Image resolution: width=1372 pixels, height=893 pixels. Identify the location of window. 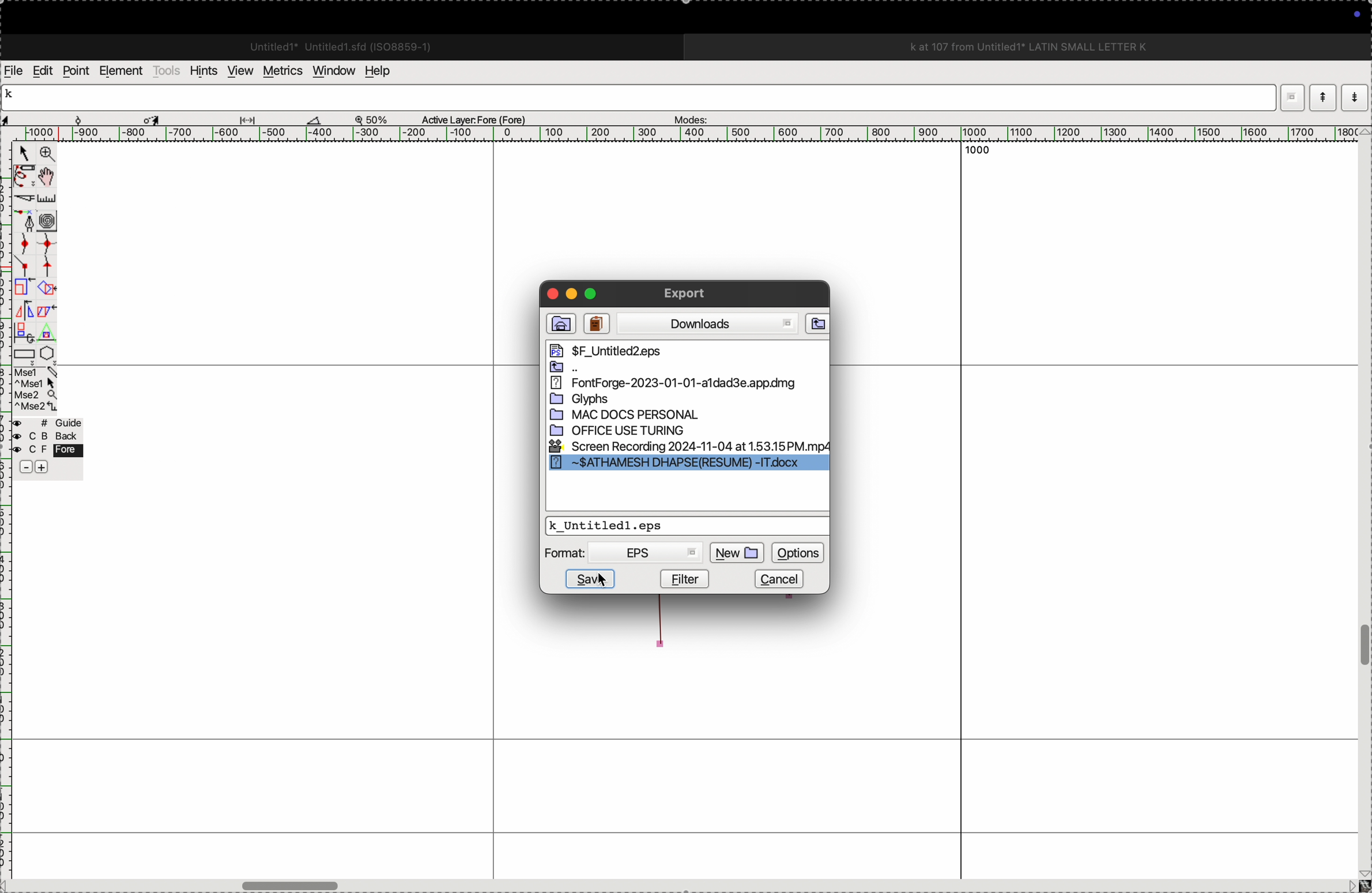
(331, 70).